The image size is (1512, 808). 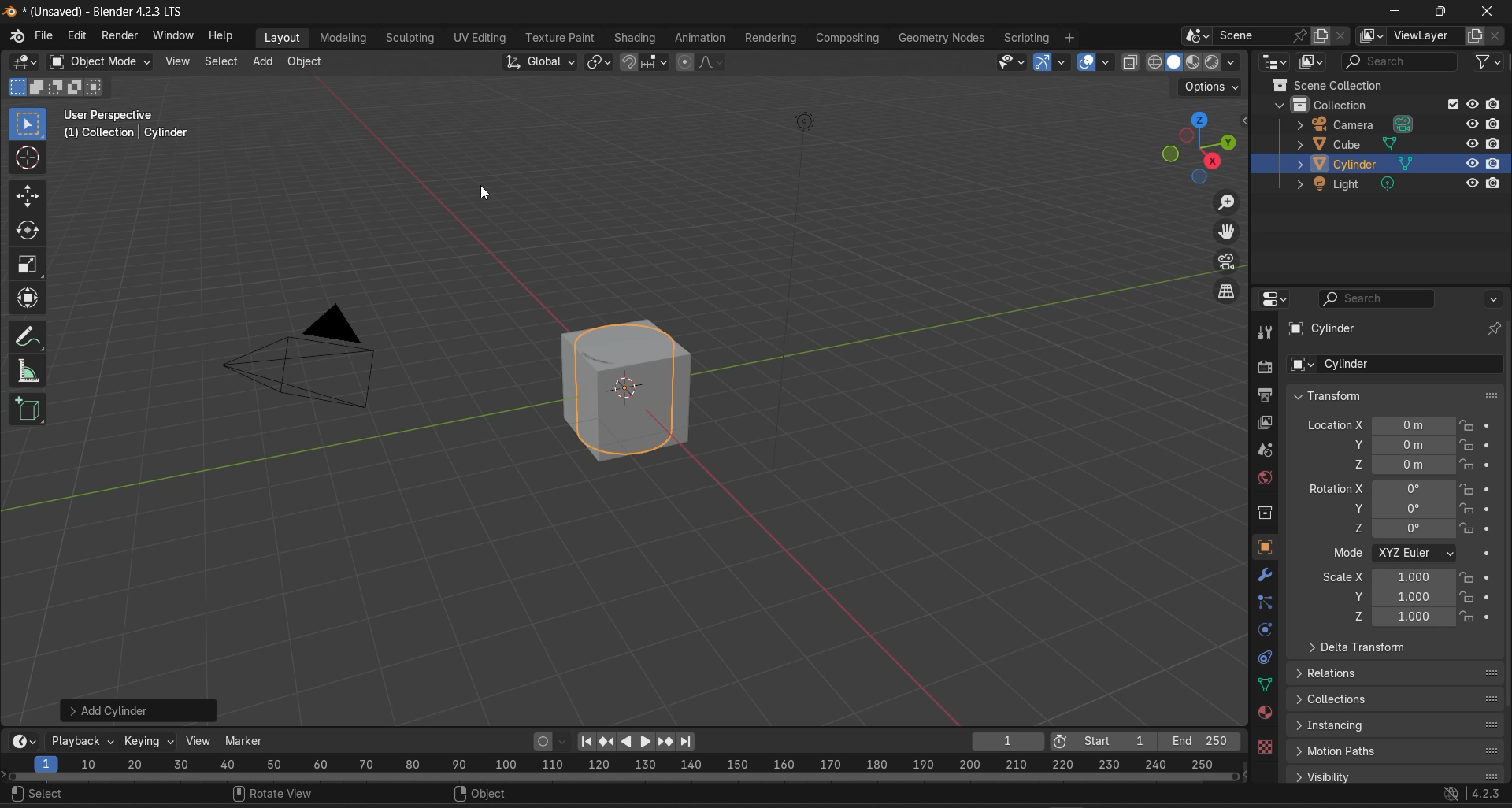 What do you see at coordinates (246, 741) in the screenshot?
I see `marker` at bounding box center [246, 741].